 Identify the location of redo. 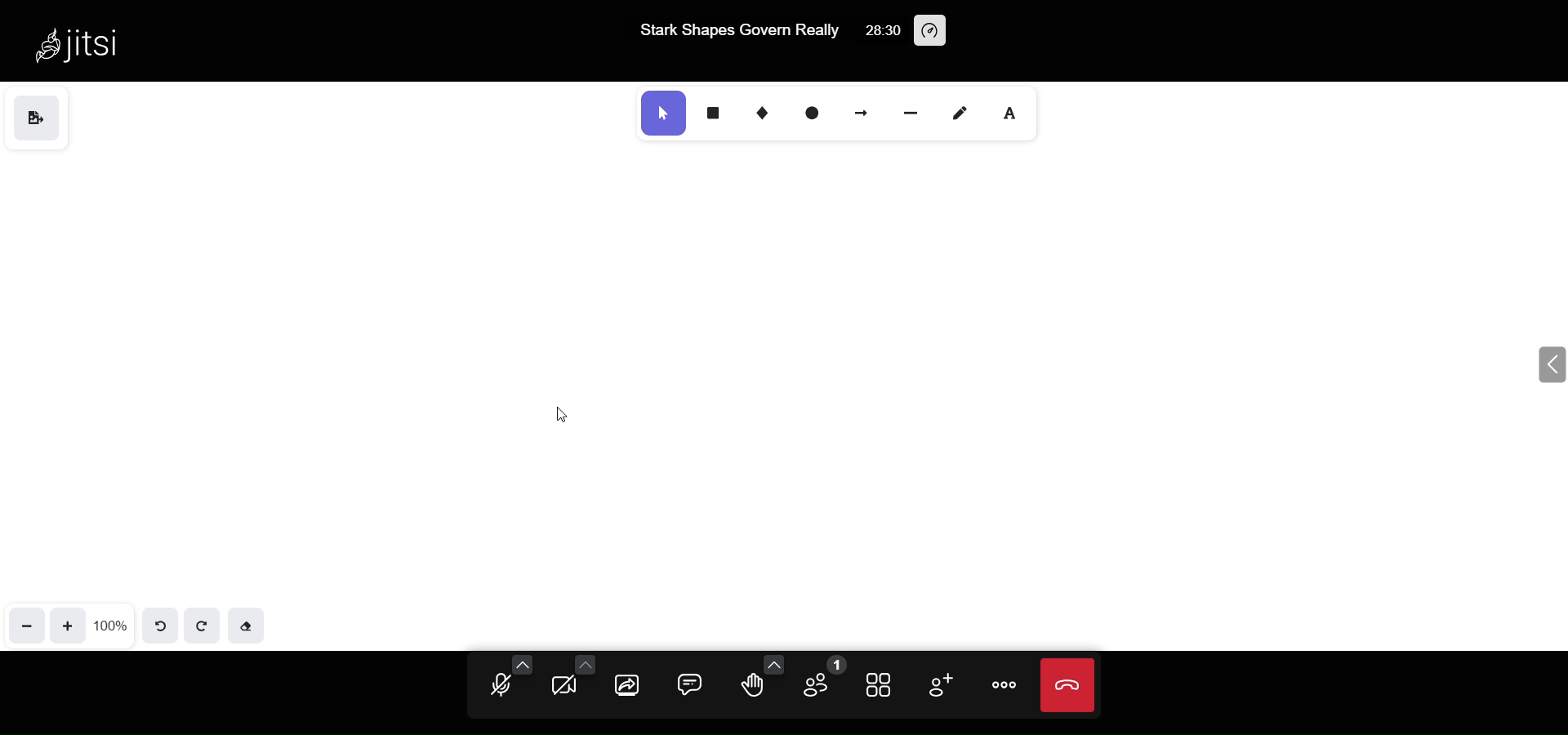
(199, 624).